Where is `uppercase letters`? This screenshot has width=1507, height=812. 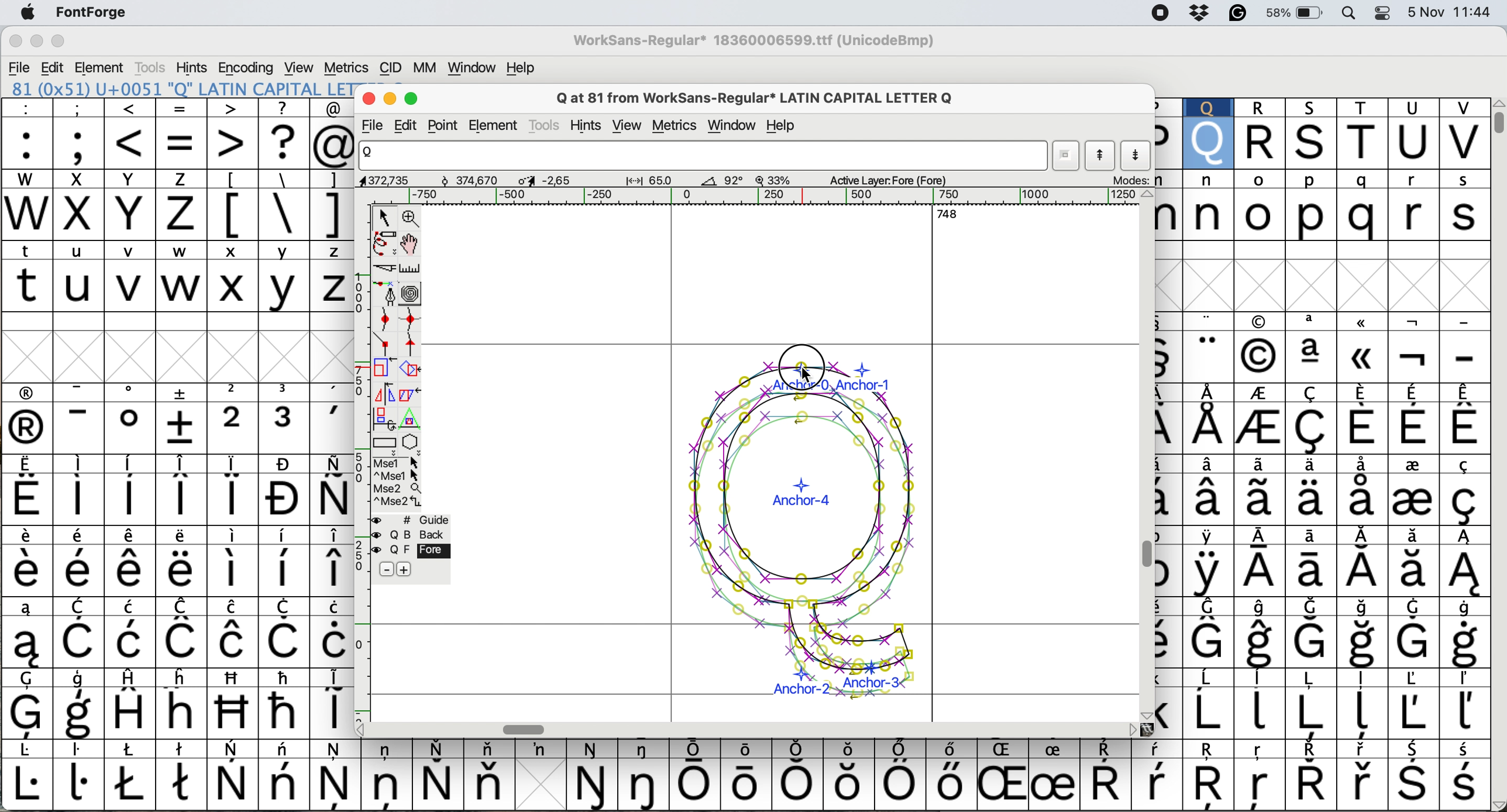 uppercase letters is located at coordinates (113, 216).